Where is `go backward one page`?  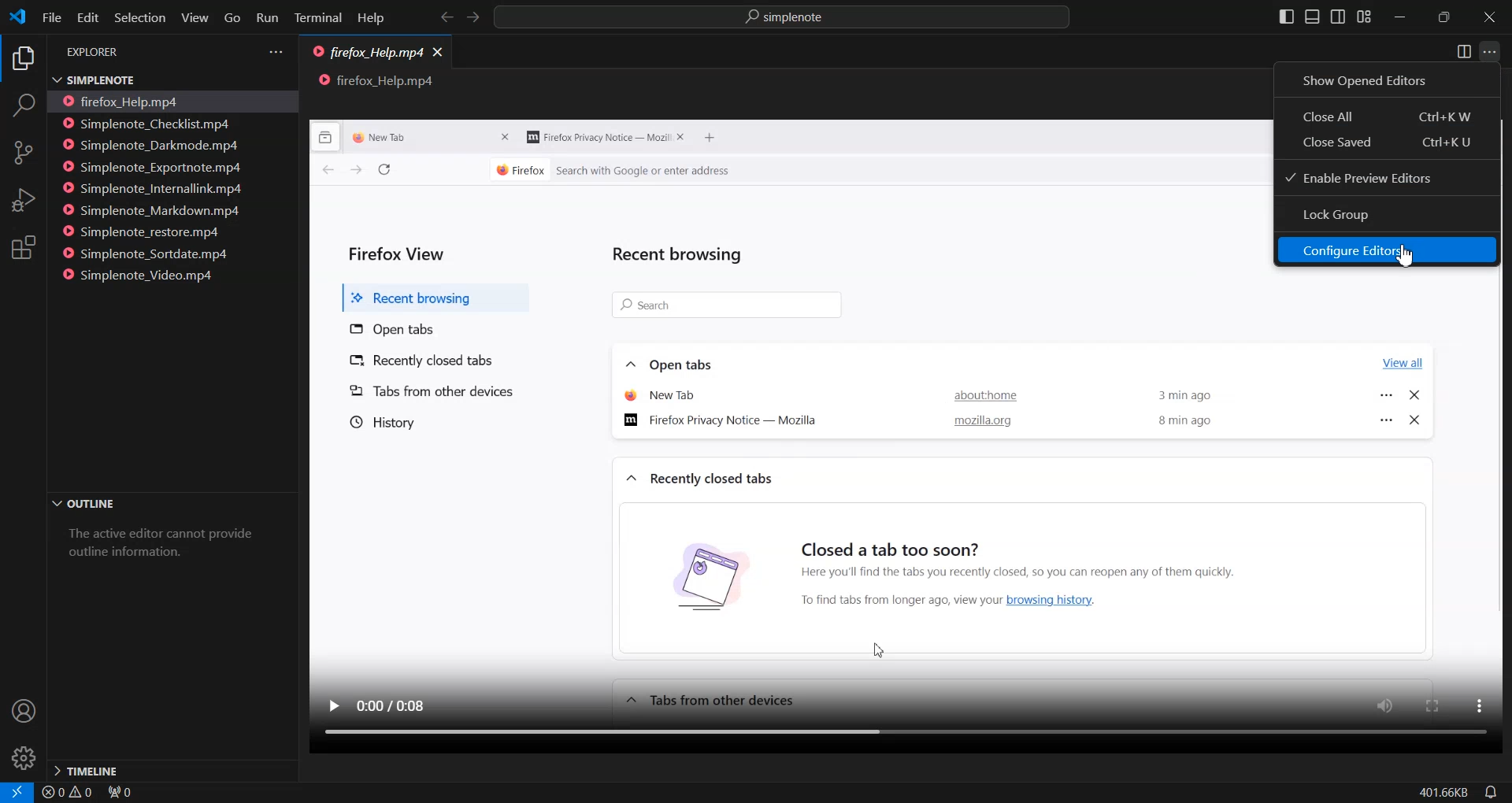
go backward one page is located at coordinates (321, 172).